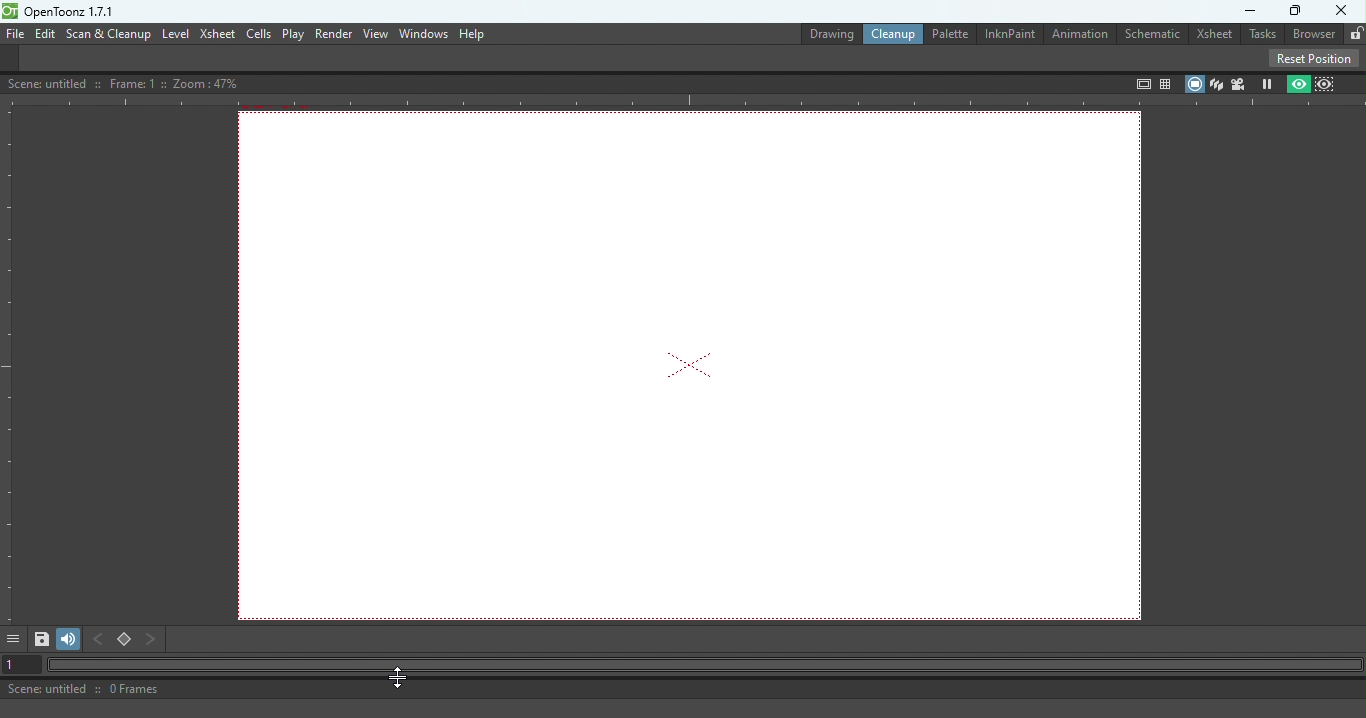 This screenshot has height=718, width=1366. Describe the element at coordinates (1261, 35) in the screenshot. I see `Tasks` at that location.